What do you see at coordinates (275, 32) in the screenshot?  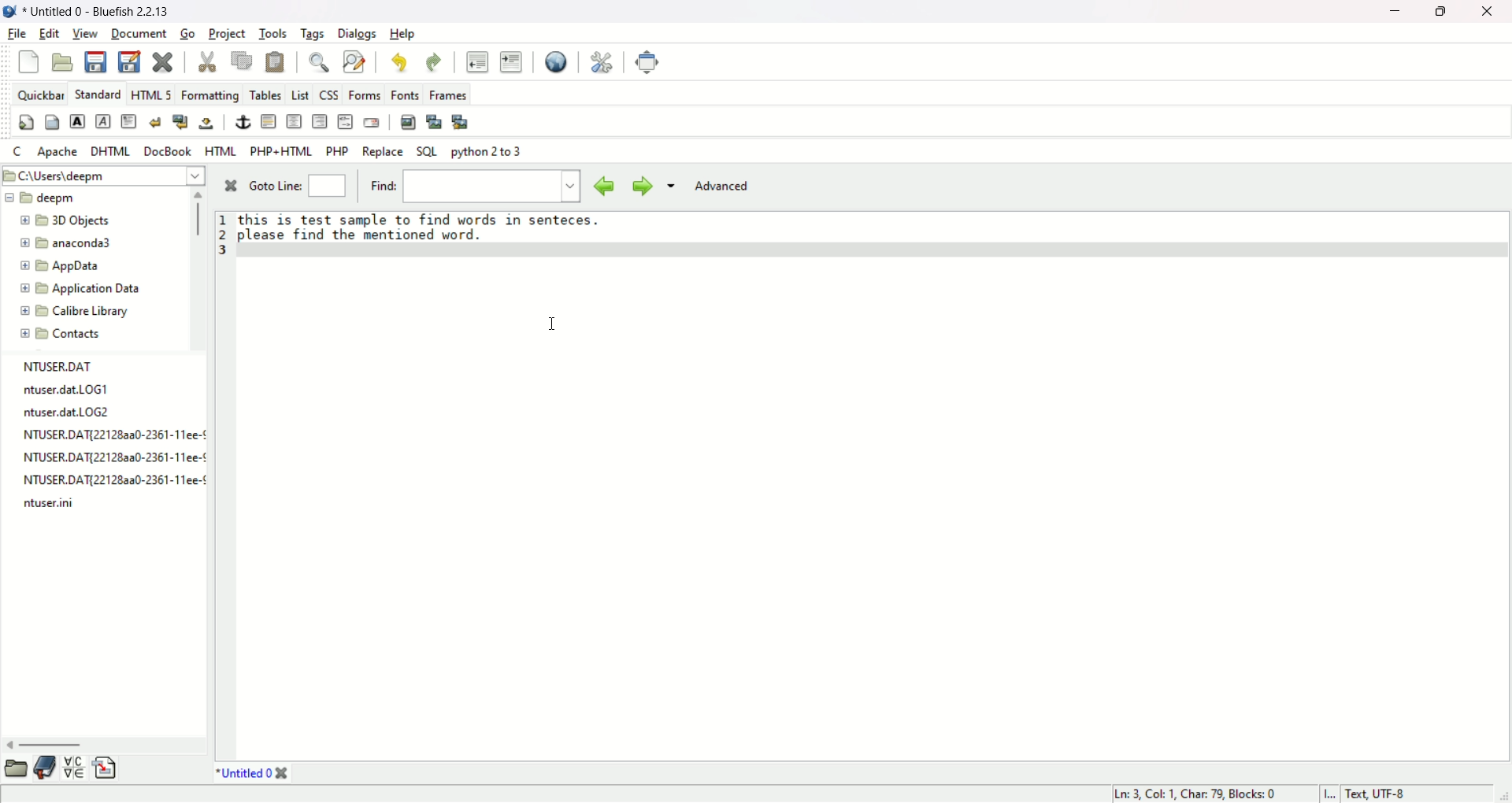 I see `tools` at bounding box center [275, 32].